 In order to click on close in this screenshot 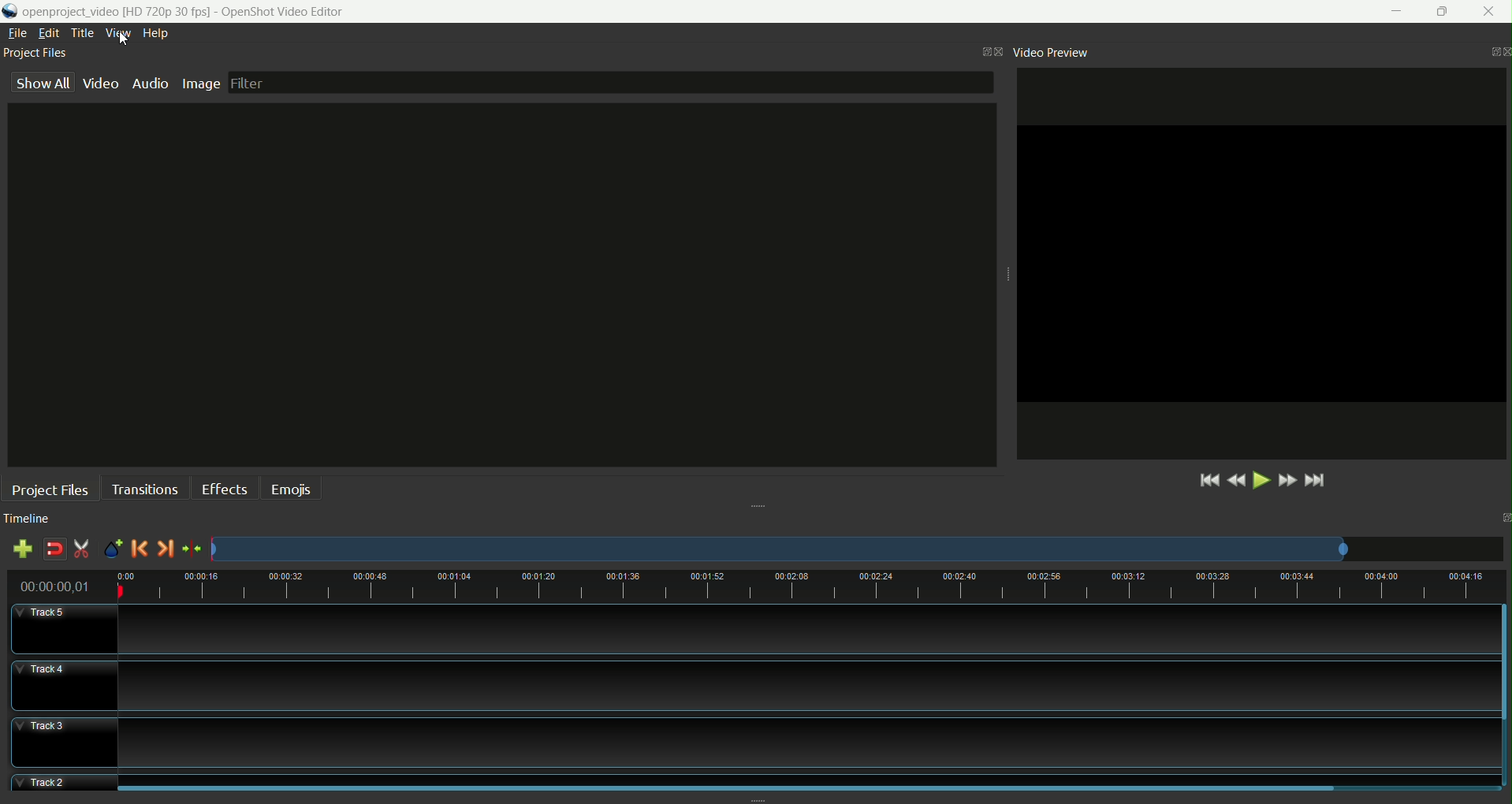, I will do `click(1490, 13)`.